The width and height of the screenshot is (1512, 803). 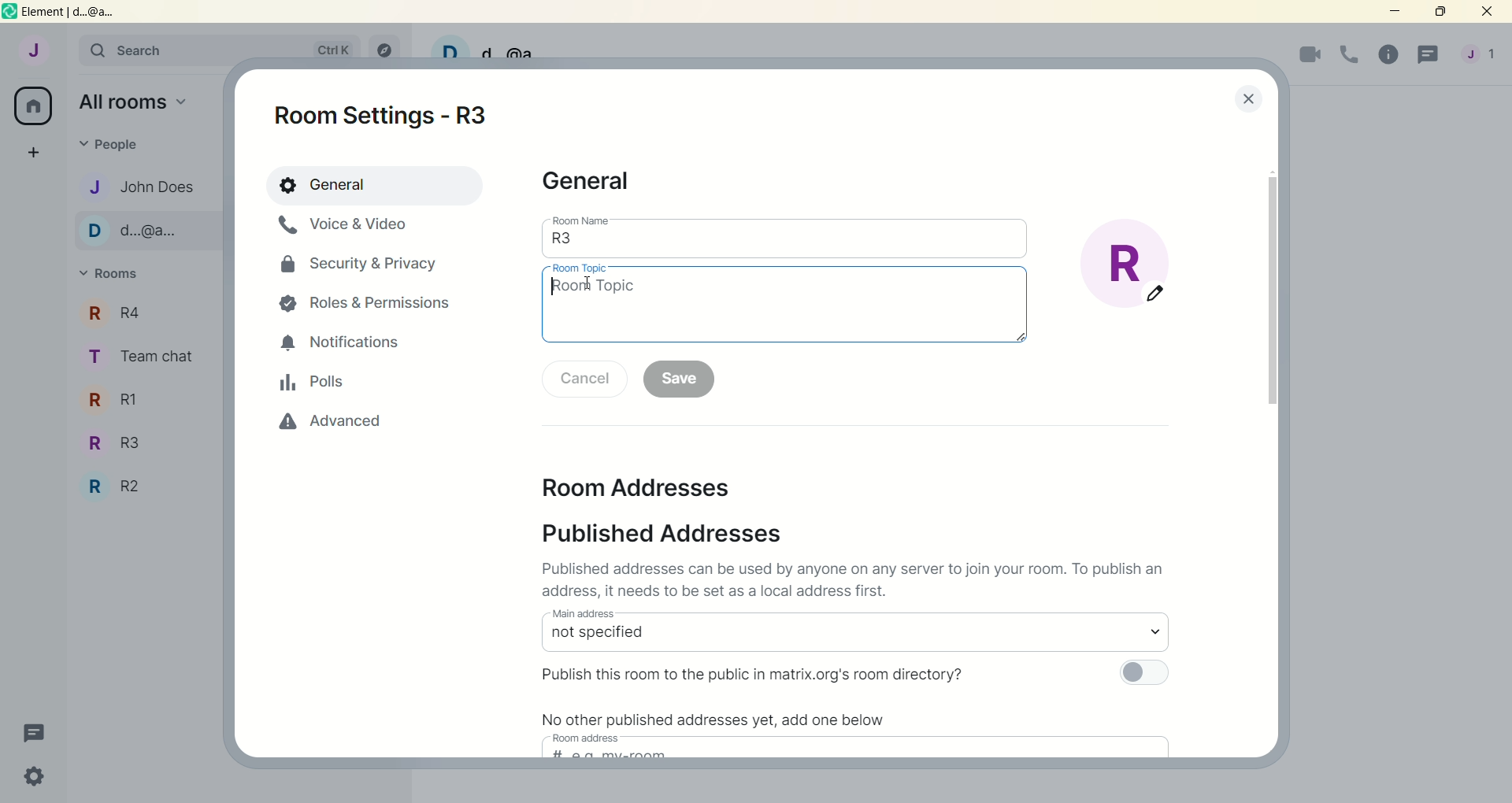 What do you see at coordinates (1491, 13) in the screenshot?
I see `close` at bounding box center [1491, 13].